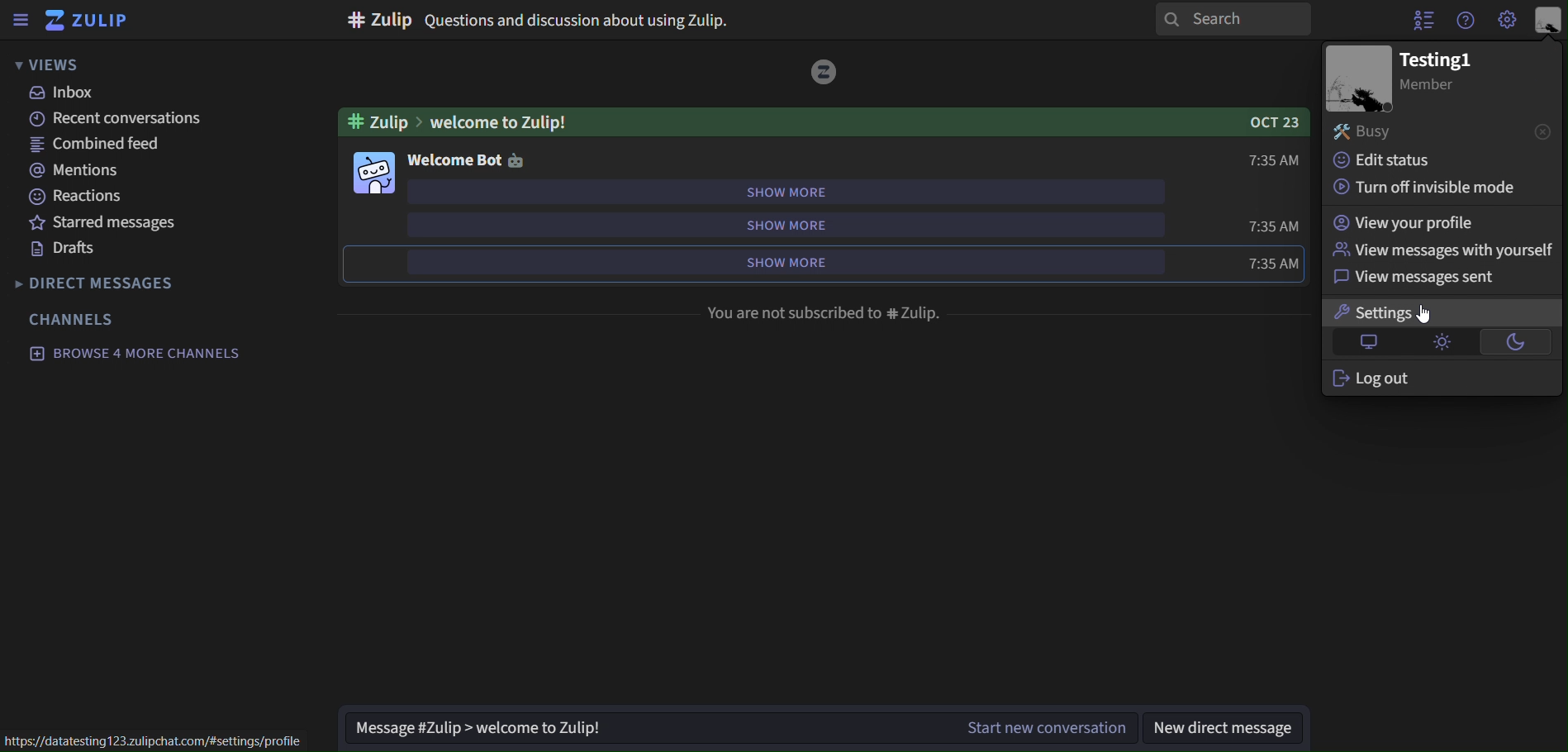 The image size is (1568, 752). Describe the element at coordinates (74, 169) in the screenshot. I see `mentions` at that location.